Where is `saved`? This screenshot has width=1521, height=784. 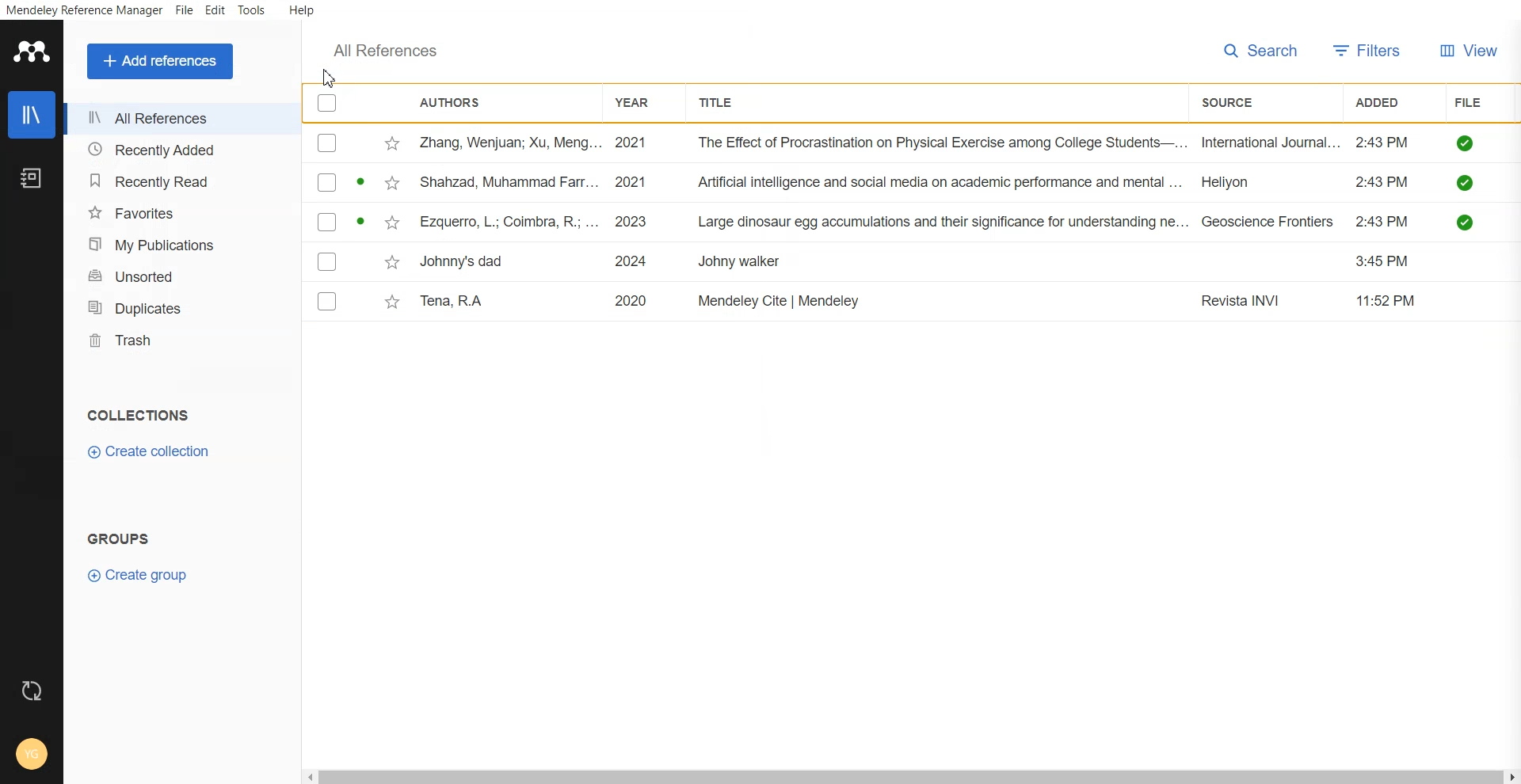 saved is located at coordinates (1467, 182).